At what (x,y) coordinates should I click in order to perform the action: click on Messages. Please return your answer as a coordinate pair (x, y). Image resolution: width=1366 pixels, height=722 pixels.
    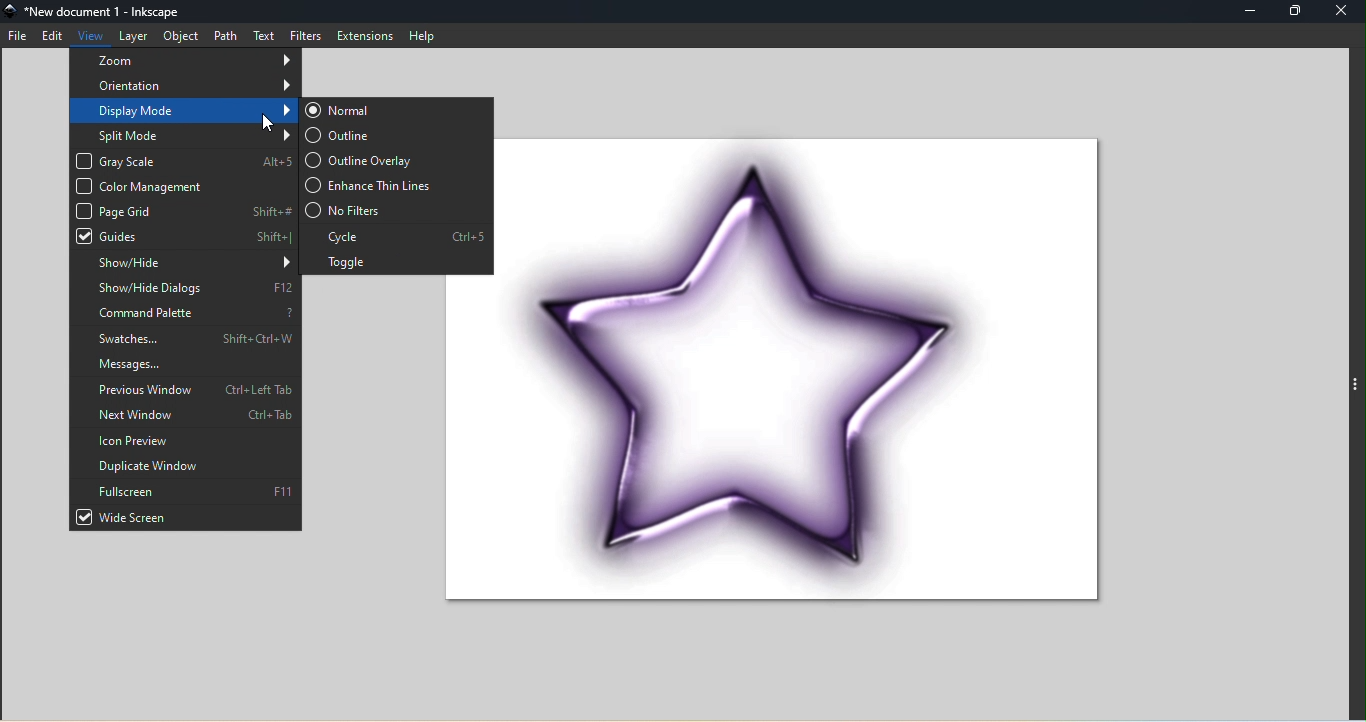
    Looking at the image, I should click on (185, 362).